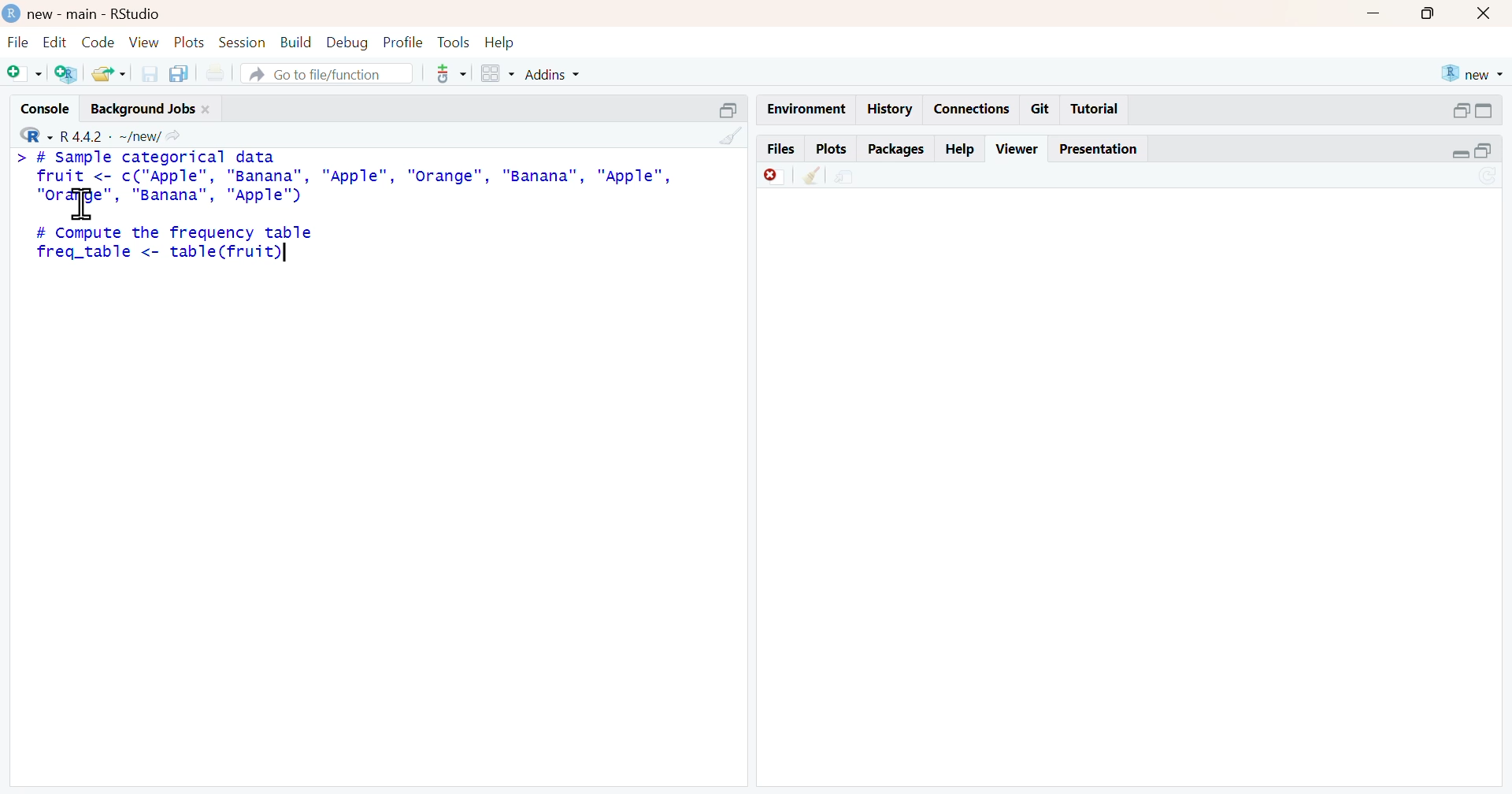 Image resolution: width=1512 pixels, height=794 pixels. What do you see at coordinates (1487, 113) in the screenshot?
I see `collapse` at bounding box center [1487, 113].